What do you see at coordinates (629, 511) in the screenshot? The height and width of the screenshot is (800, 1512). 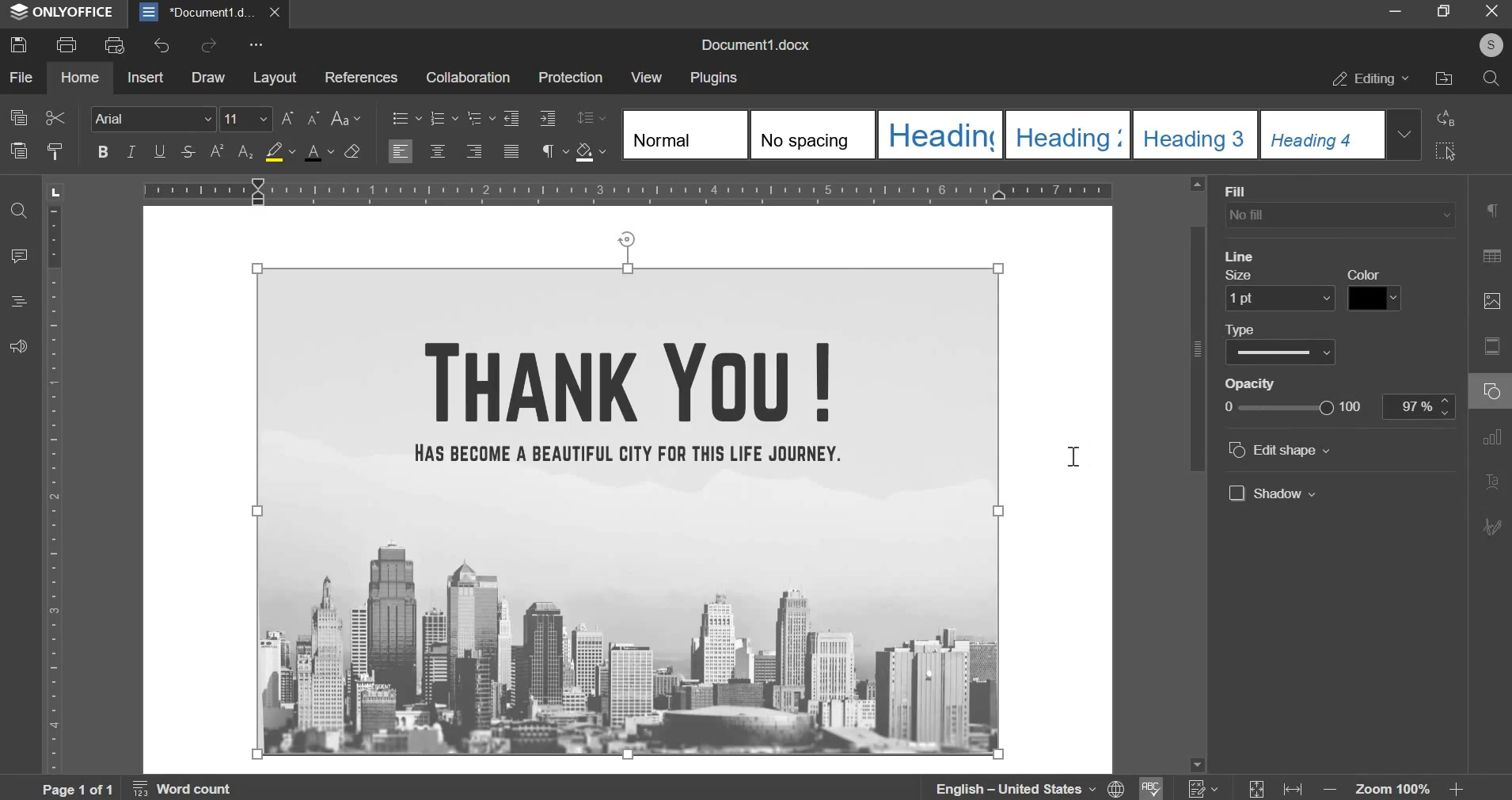 I see `image` at bounding box center [629, 511].